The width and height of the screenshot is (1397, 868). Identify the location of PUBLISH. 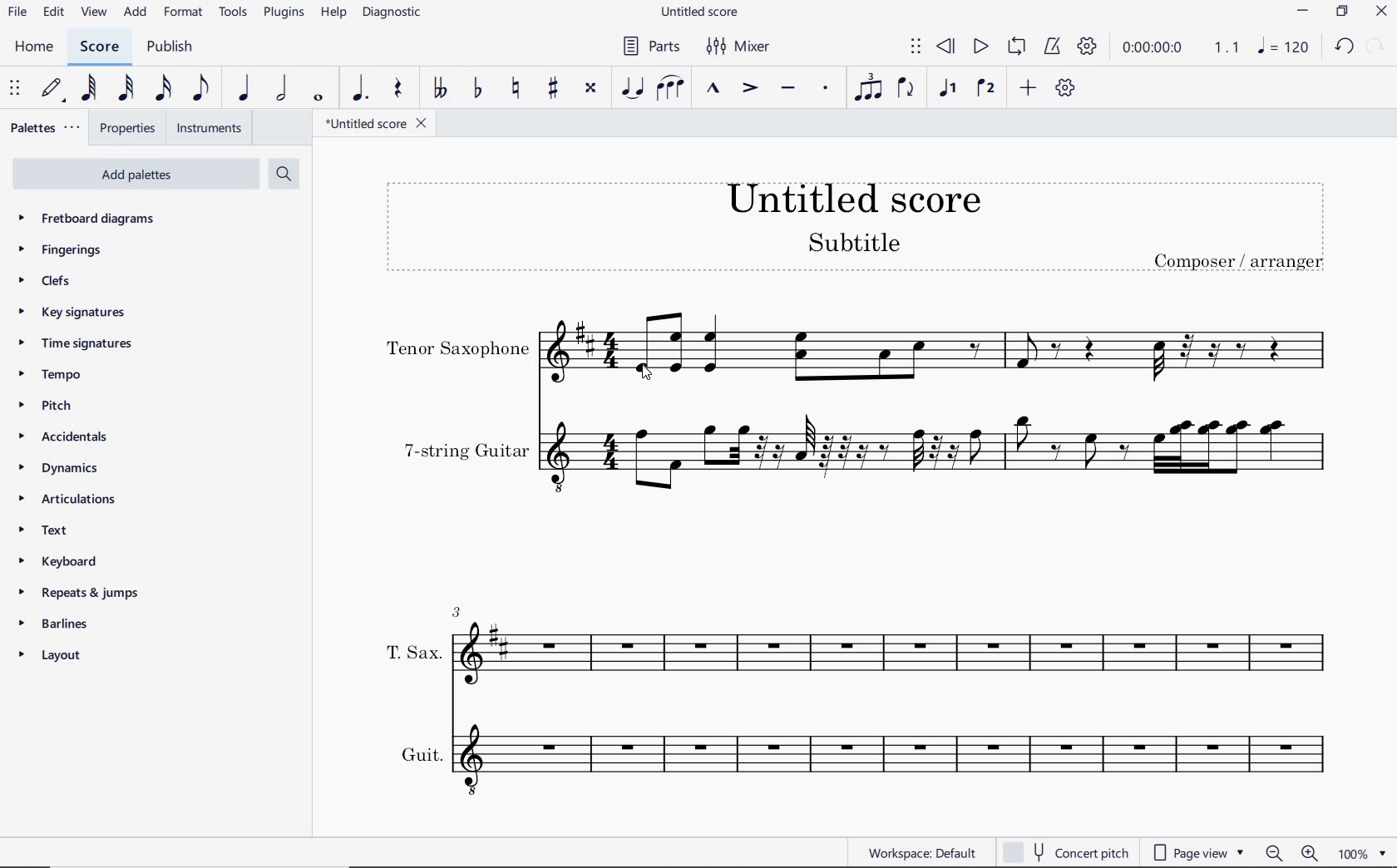
(170, 50).